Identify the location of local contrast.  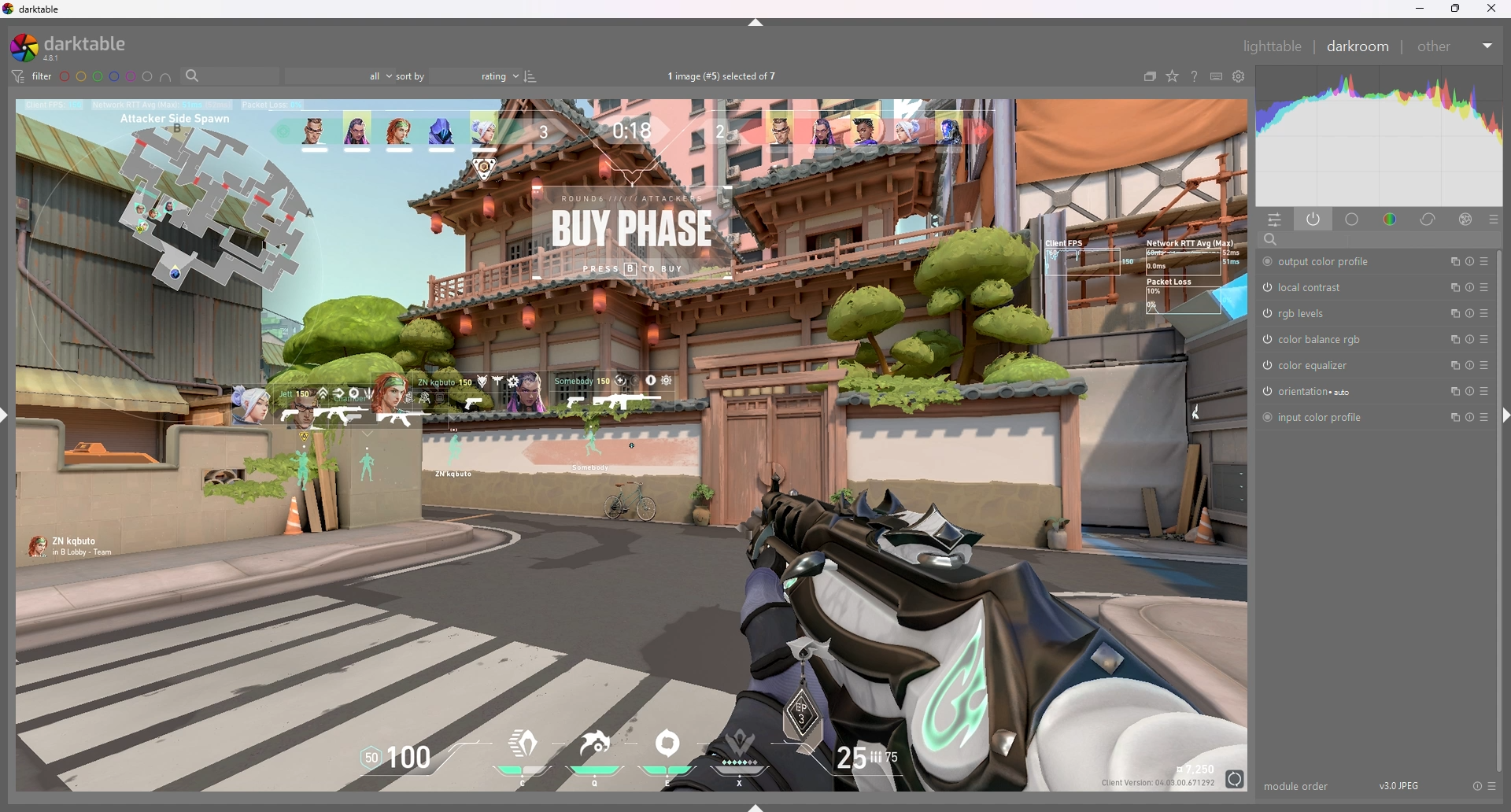
(1309, 287).